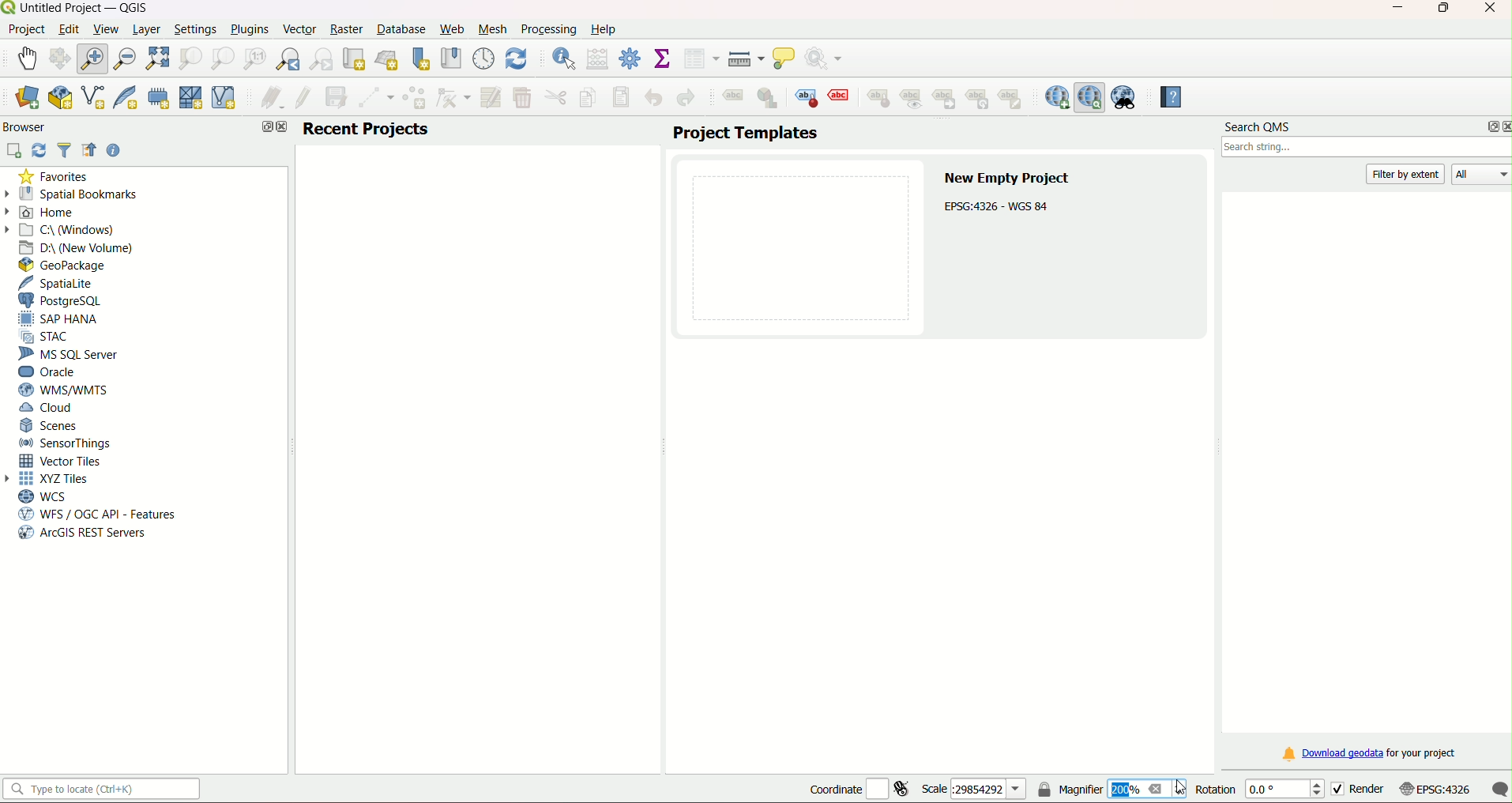 This screenshot has width=1512, height=803. Describe the element at coordinates (548, 28) in the screenshot. I see `processing` at that location.